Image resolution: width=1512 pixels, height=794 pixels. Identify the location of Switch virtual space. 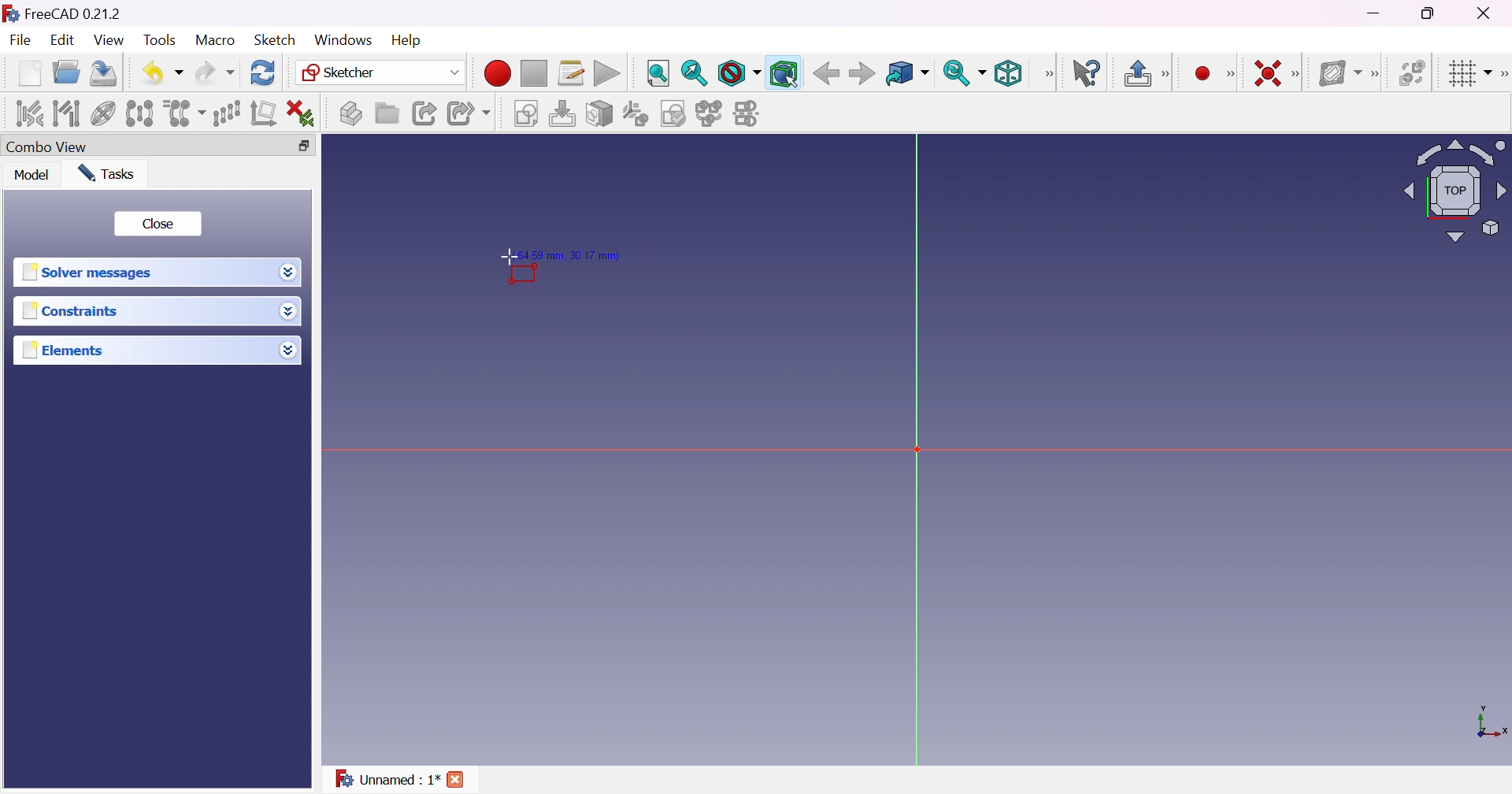
(1412, 74).